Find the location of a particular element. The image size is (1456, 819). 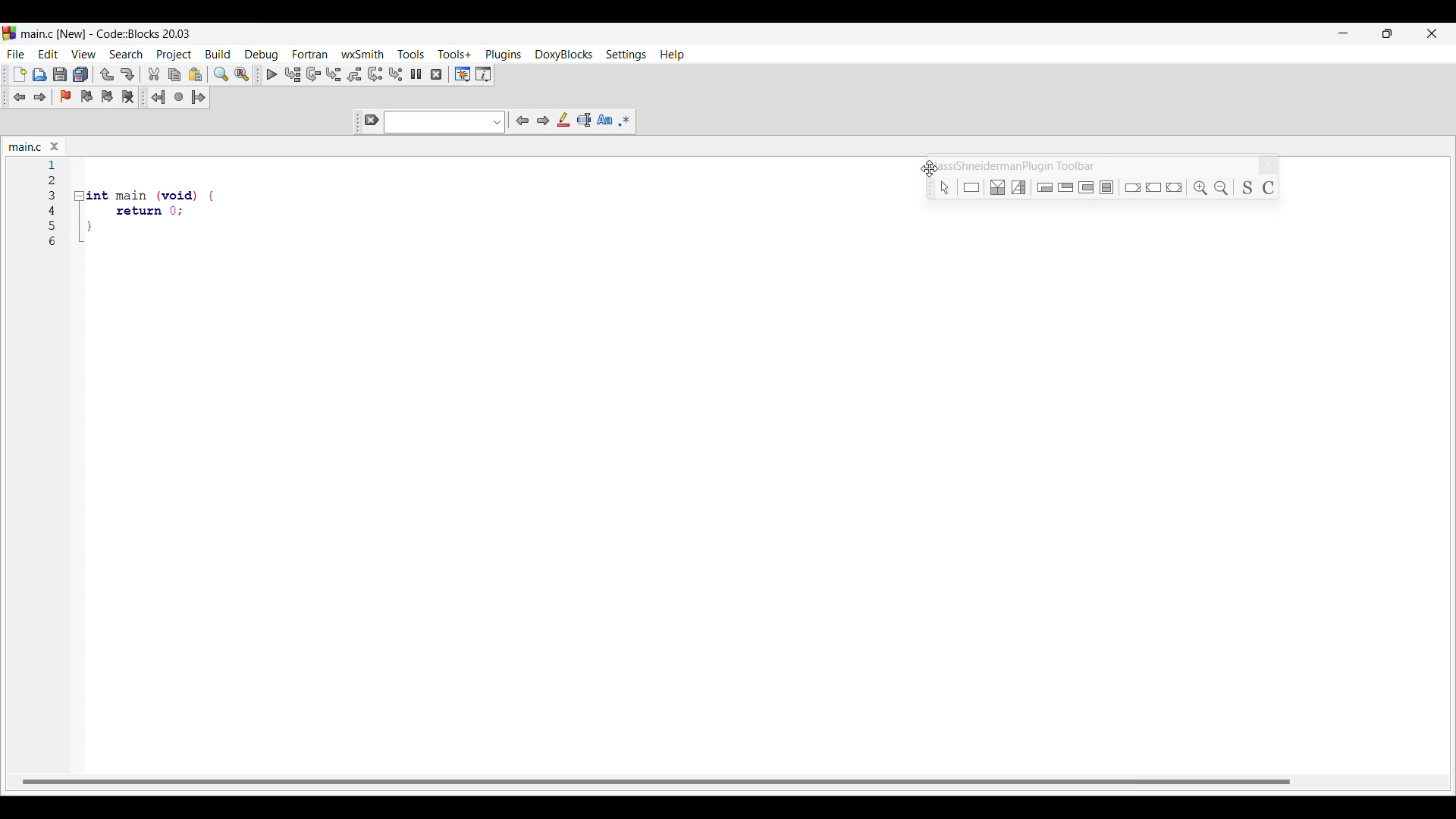

Next is located at coordinates (543, 121).